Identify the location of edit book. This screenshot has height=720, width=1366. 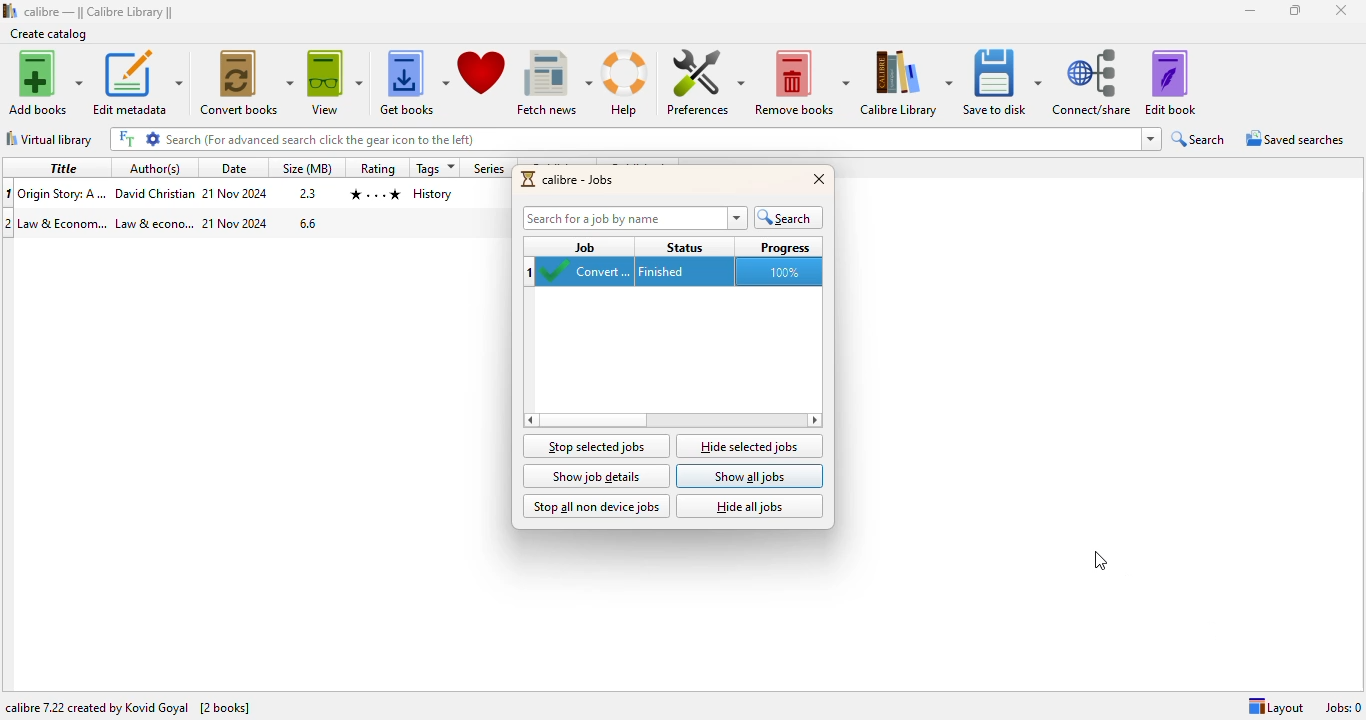
(1171, 81).